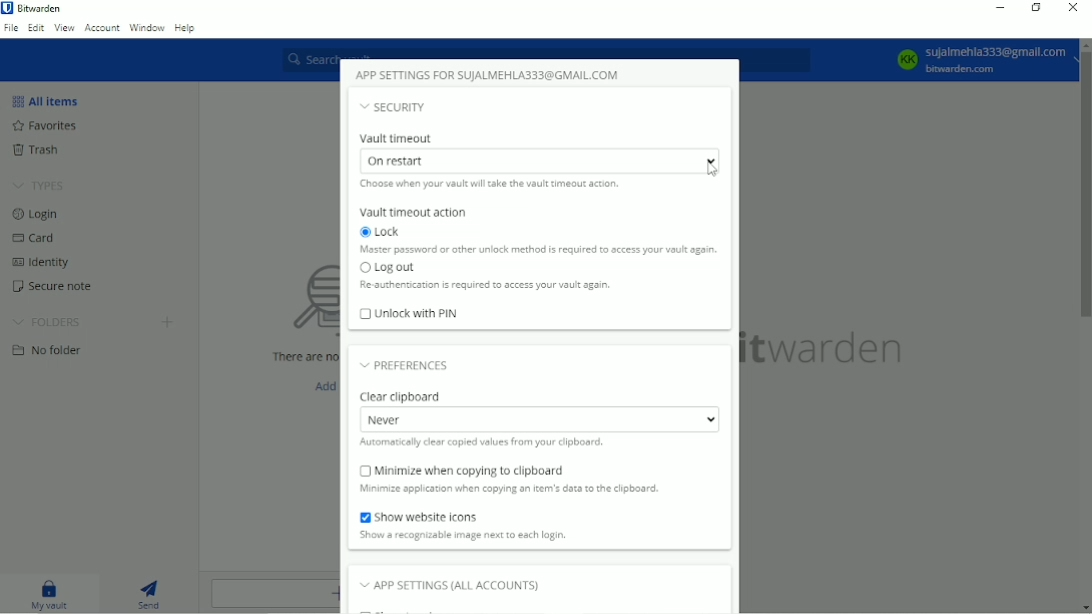 The image size is (1092, 614). Describe the element at coordinates (39, 150) in the screenshot. I see `Trash` at that location.